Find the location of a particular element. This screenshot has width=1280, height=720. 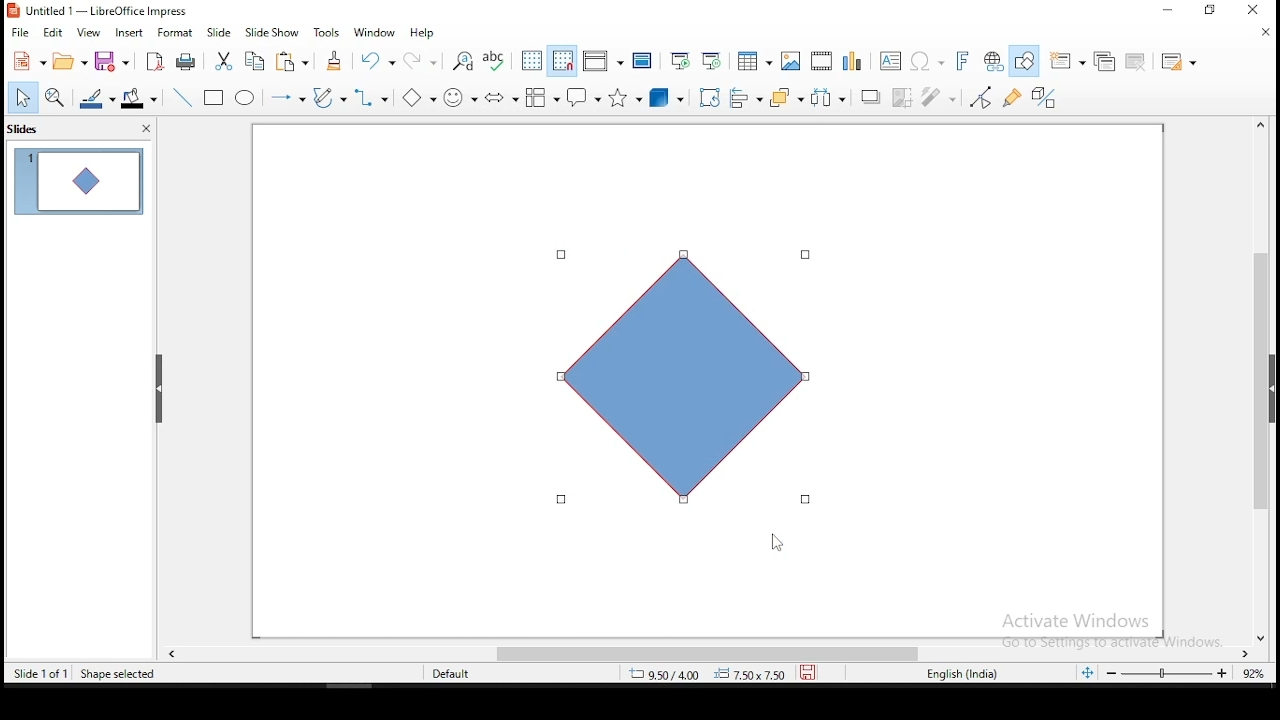

clone formatting is located at coordinates (339, 64).